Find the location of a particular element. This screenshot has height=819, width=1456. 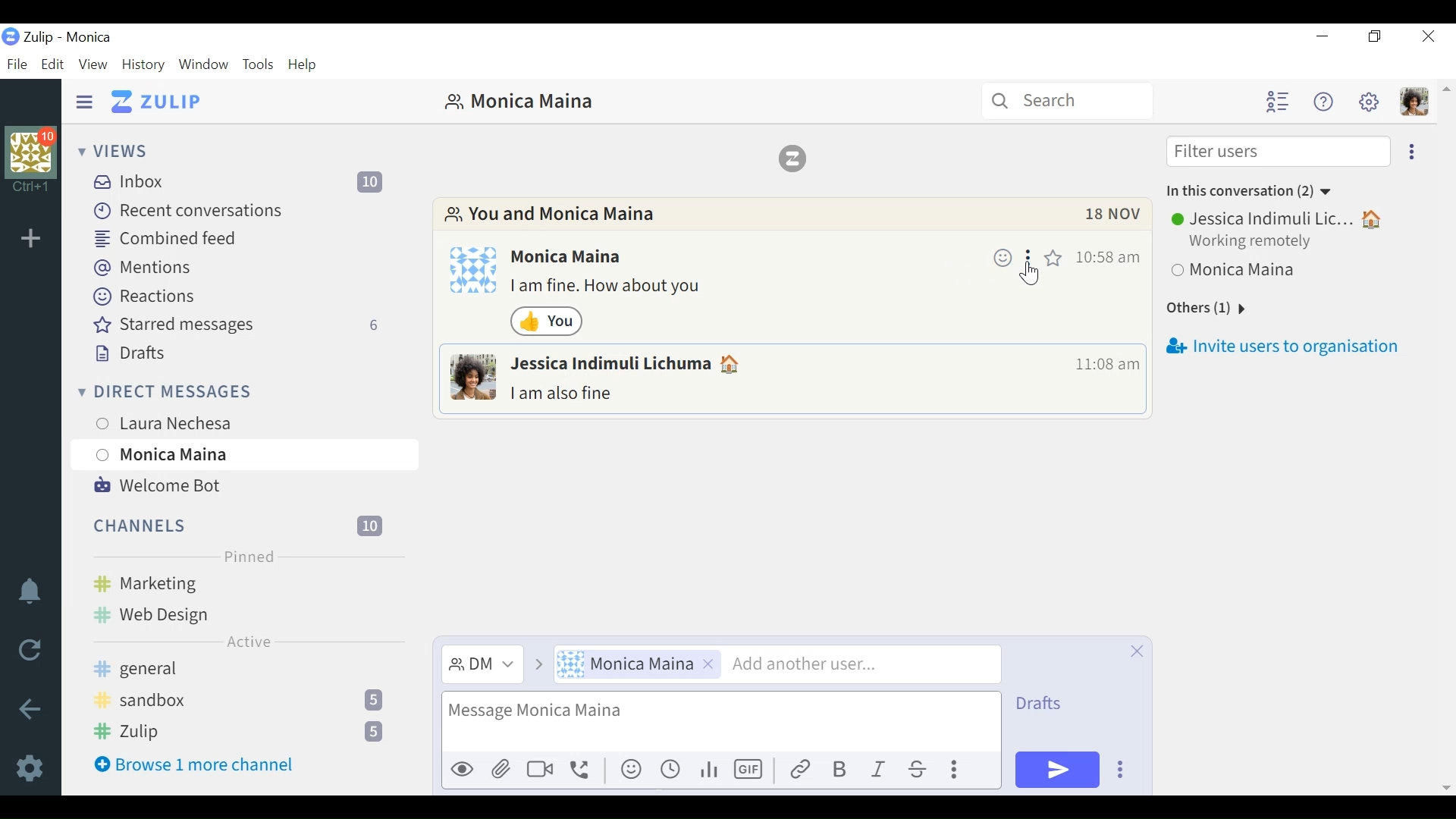

Bold is located at coordinates (839, 770).